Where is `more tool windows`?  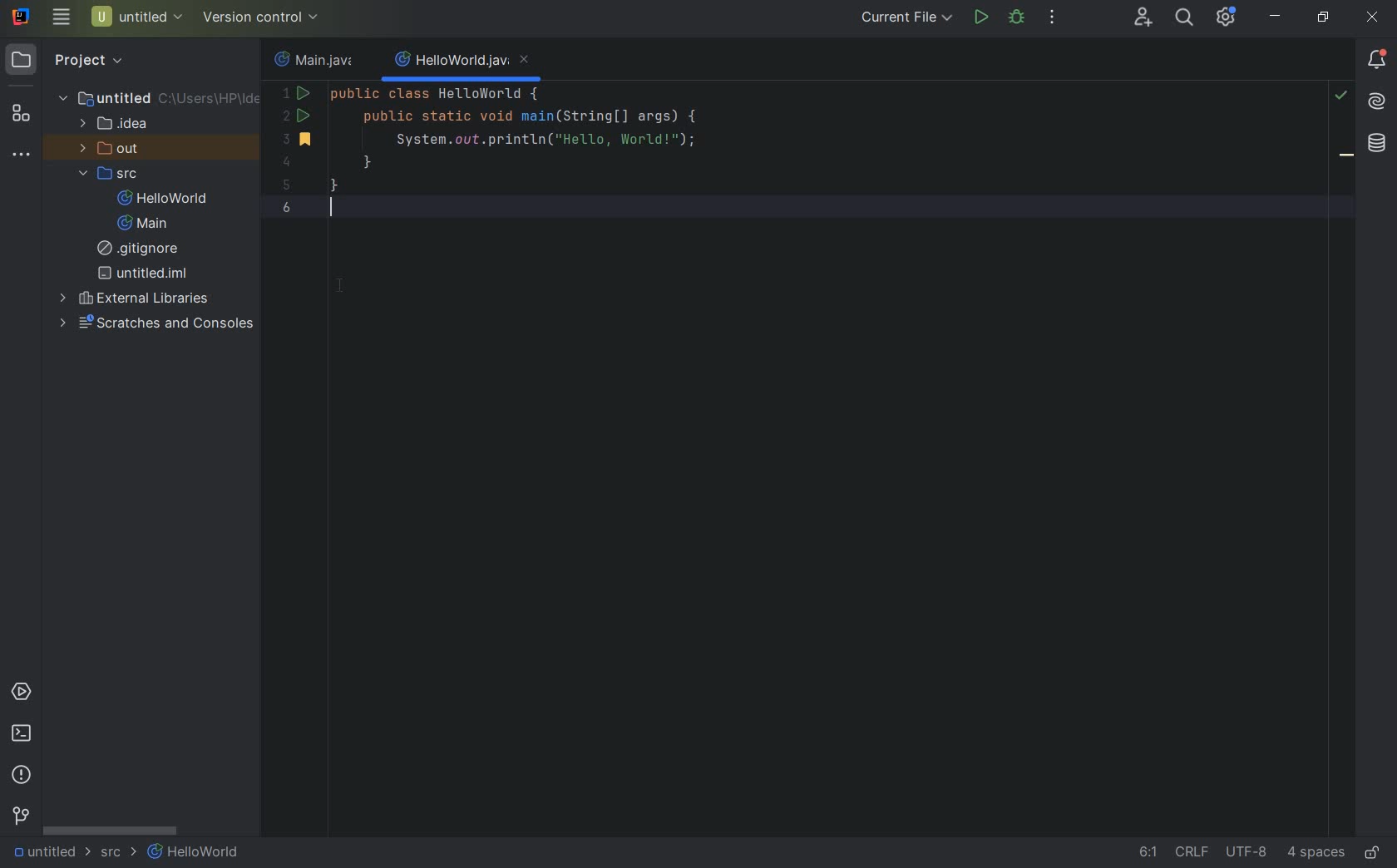
more tool windows is located at coordinates (21, 156).